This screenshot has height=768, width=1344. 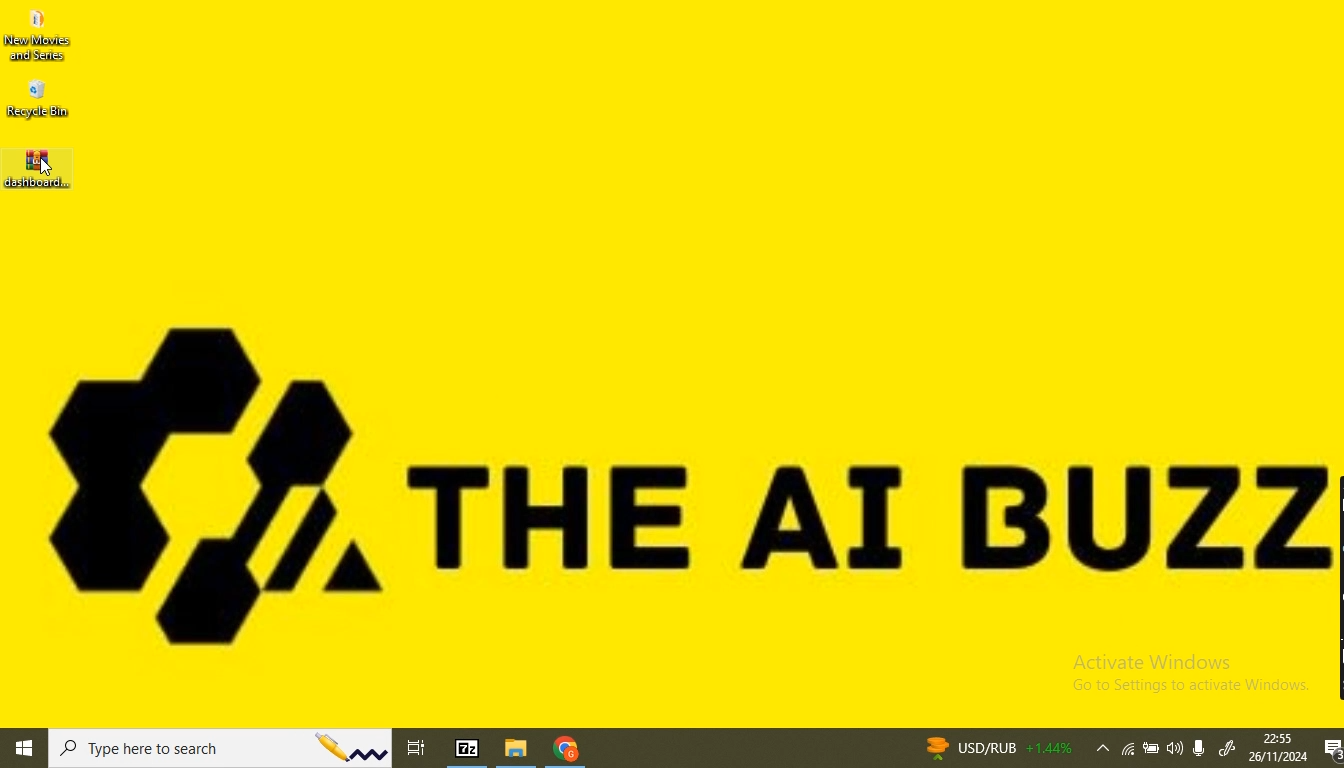 What do you see at coordinates (519, 749) in the screenshot?
I see `file browser` at bounding box center [519, 749].